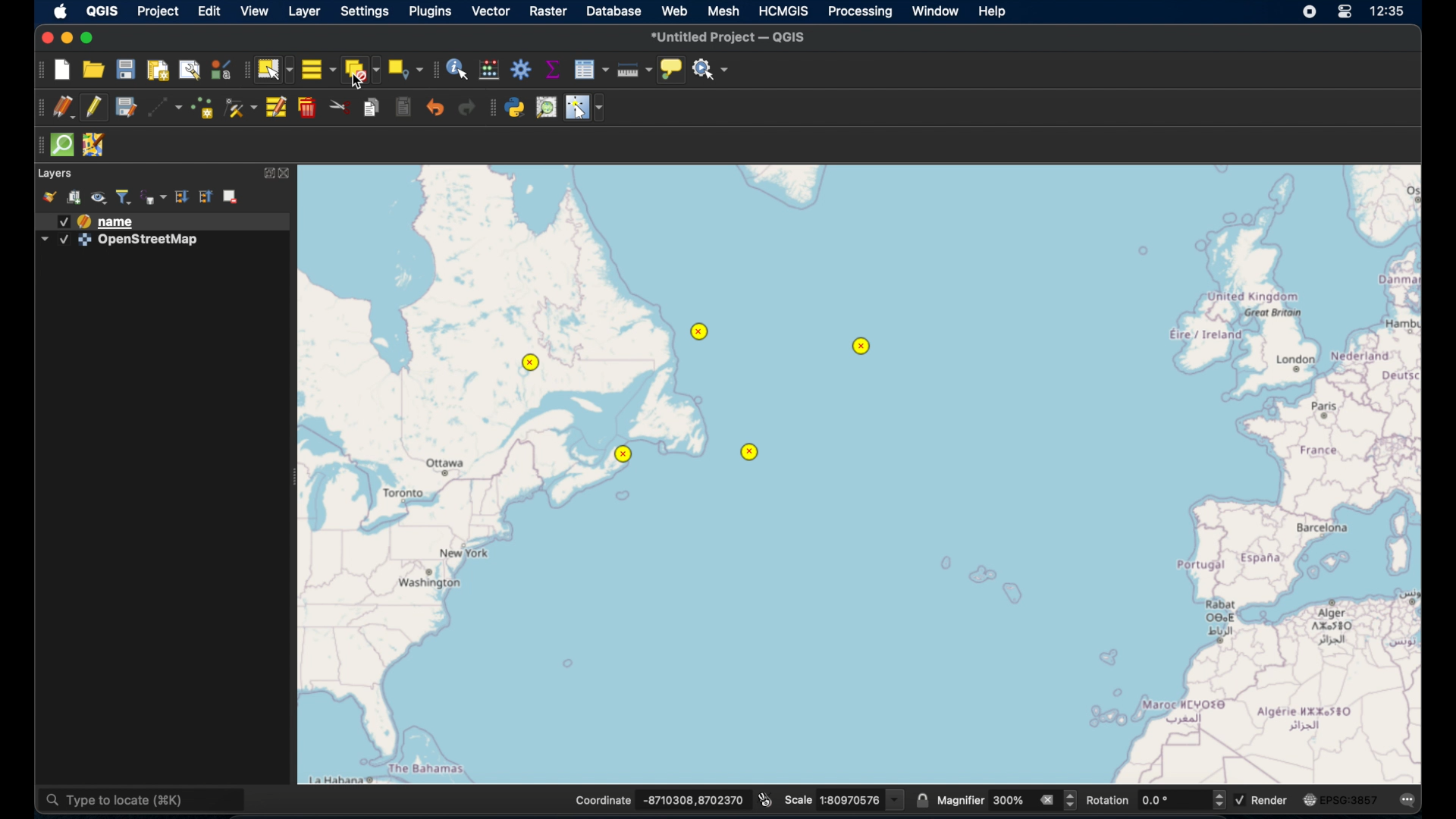 The width and height of the screenshot is (1456, 819). I want to click on manage map theme, so click(99, 199).